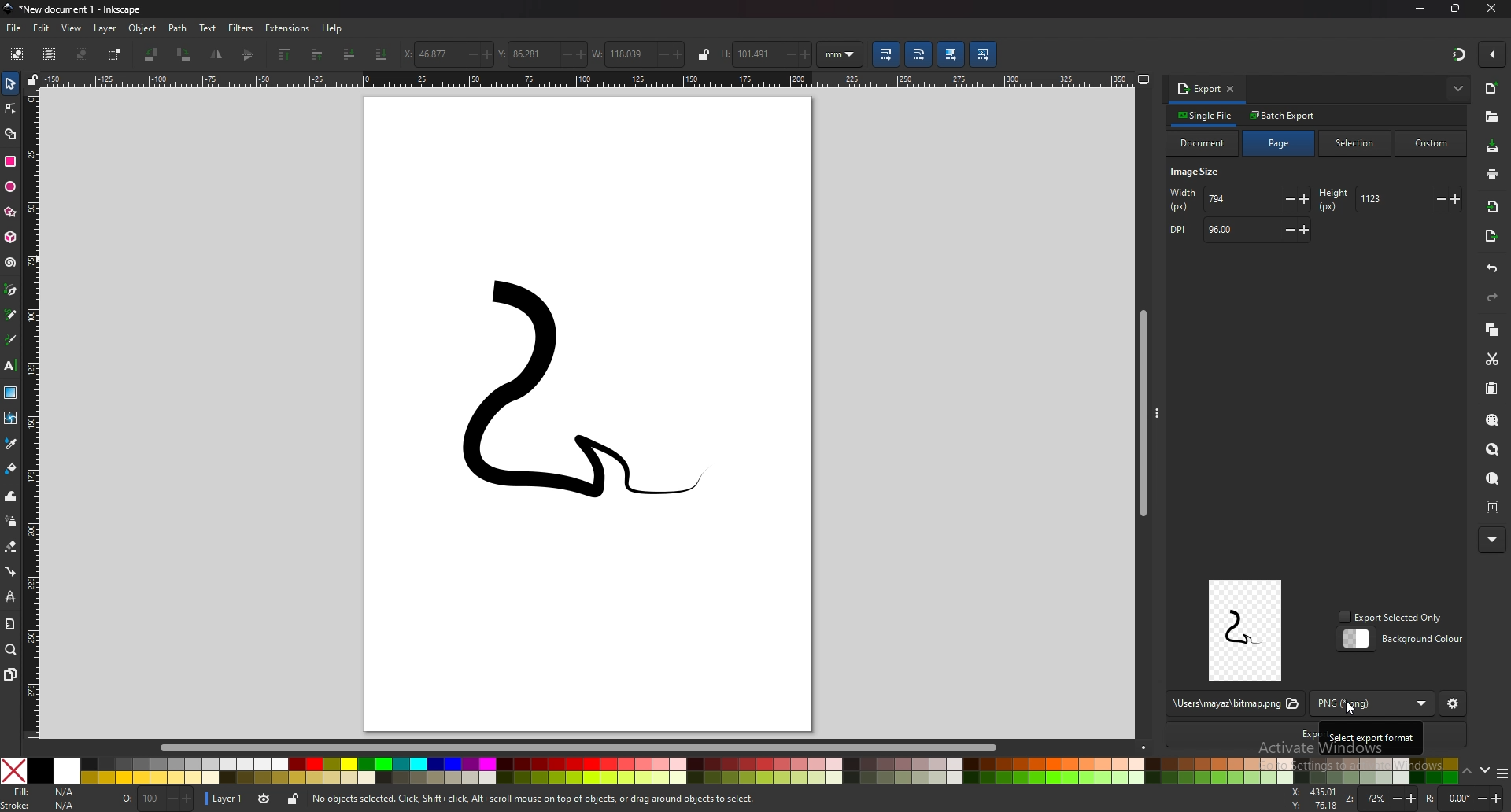  I want to click on more, so click(1491, 540).